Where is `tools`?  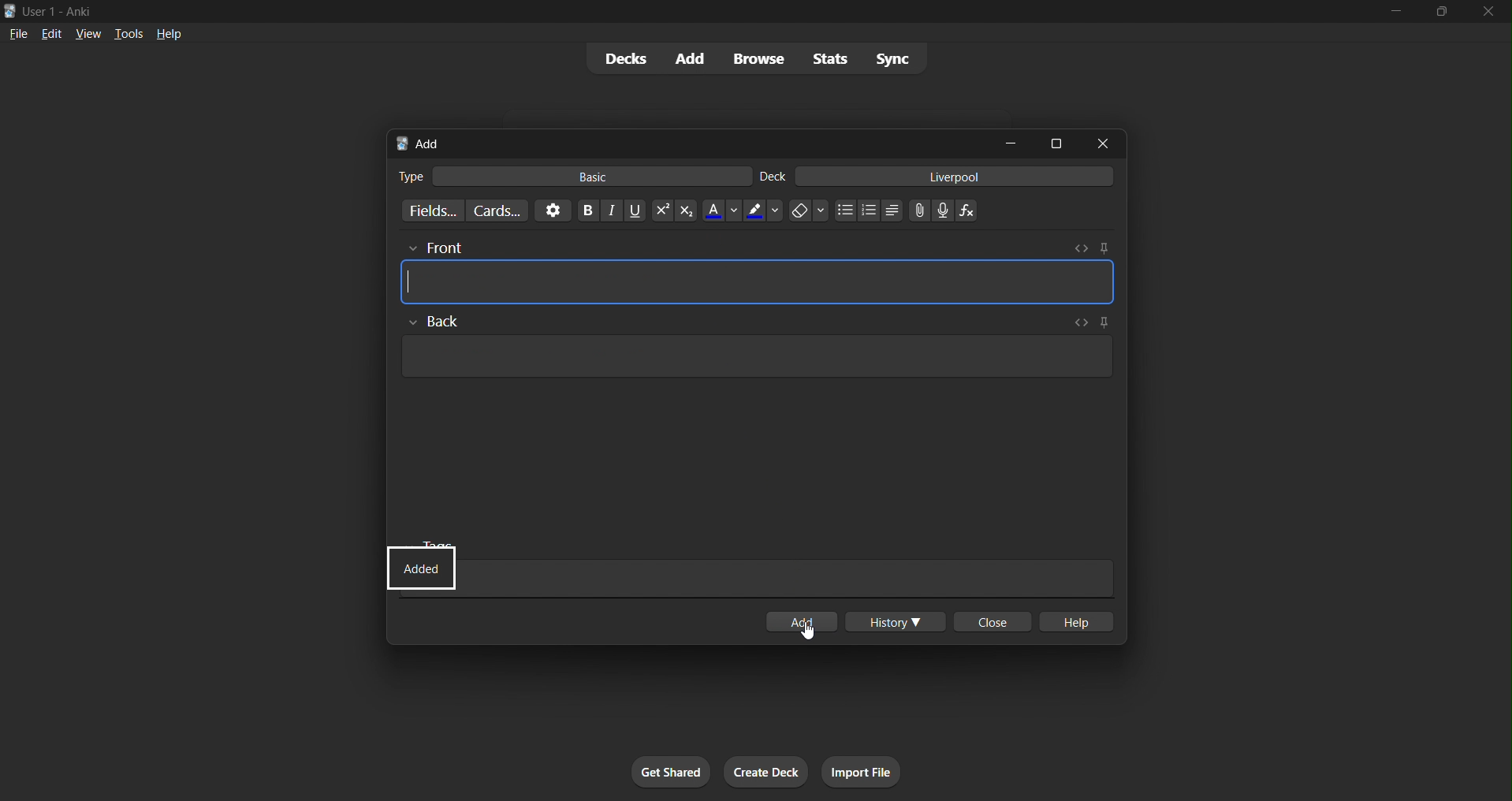 tools is located at coordinates (128, 32).